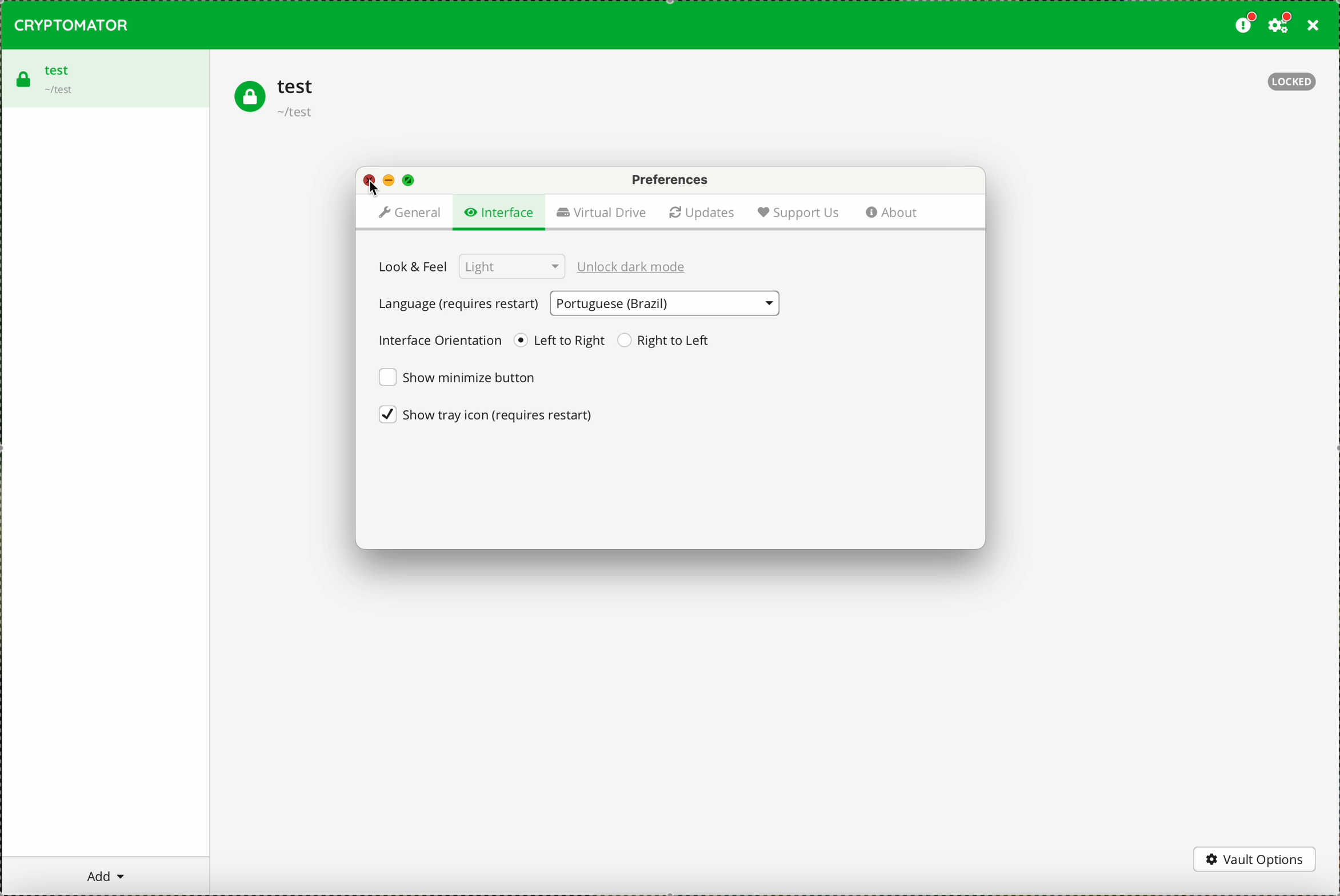 Image resolution: width=1340 pixels, height=896 pixels. What do you see at coordinates (894, 213) in the screenshot?
I see `about` at bounding box center [894, 213].